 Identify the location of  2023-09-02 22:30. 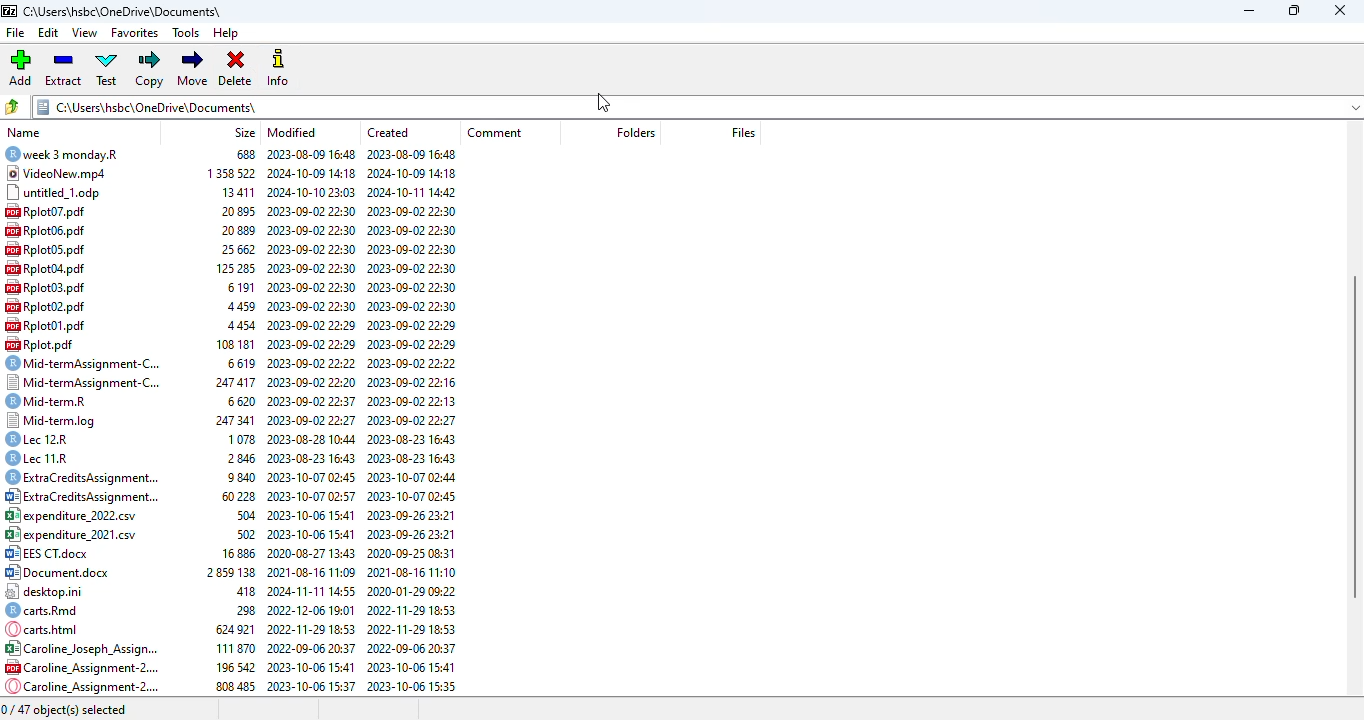
(415, 305).